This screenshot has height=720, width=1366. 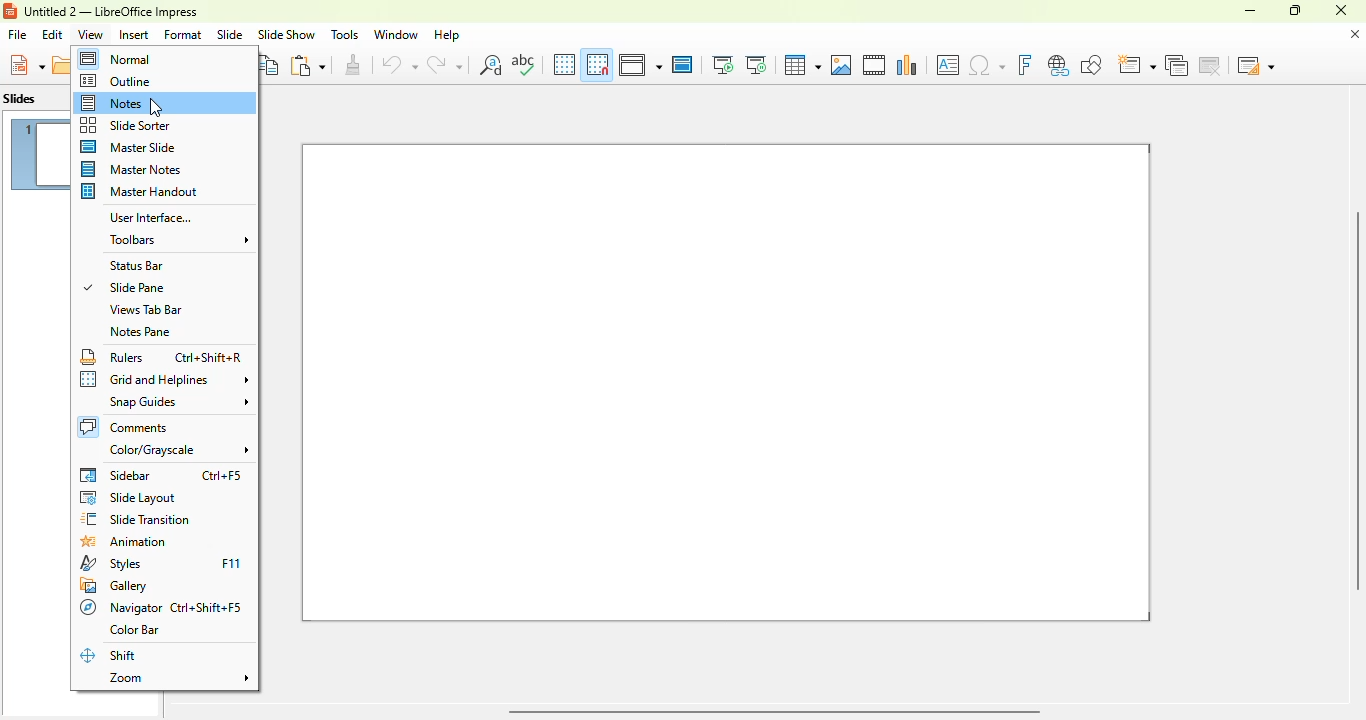 I want to click on paste, so click(x=309, y=64).